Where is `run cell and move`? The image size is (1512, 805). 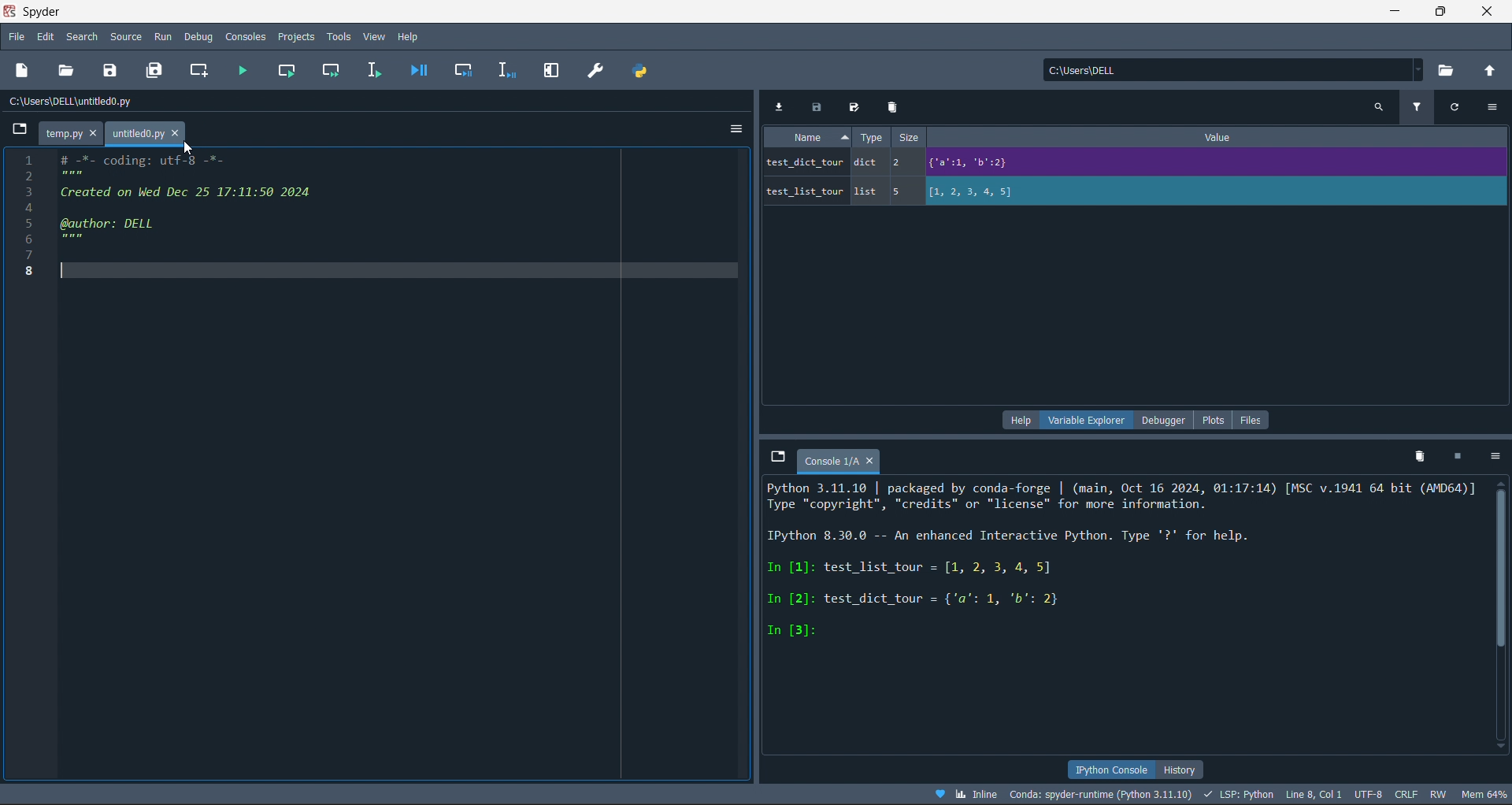
run cell and move is located at coordinates (332, 69).